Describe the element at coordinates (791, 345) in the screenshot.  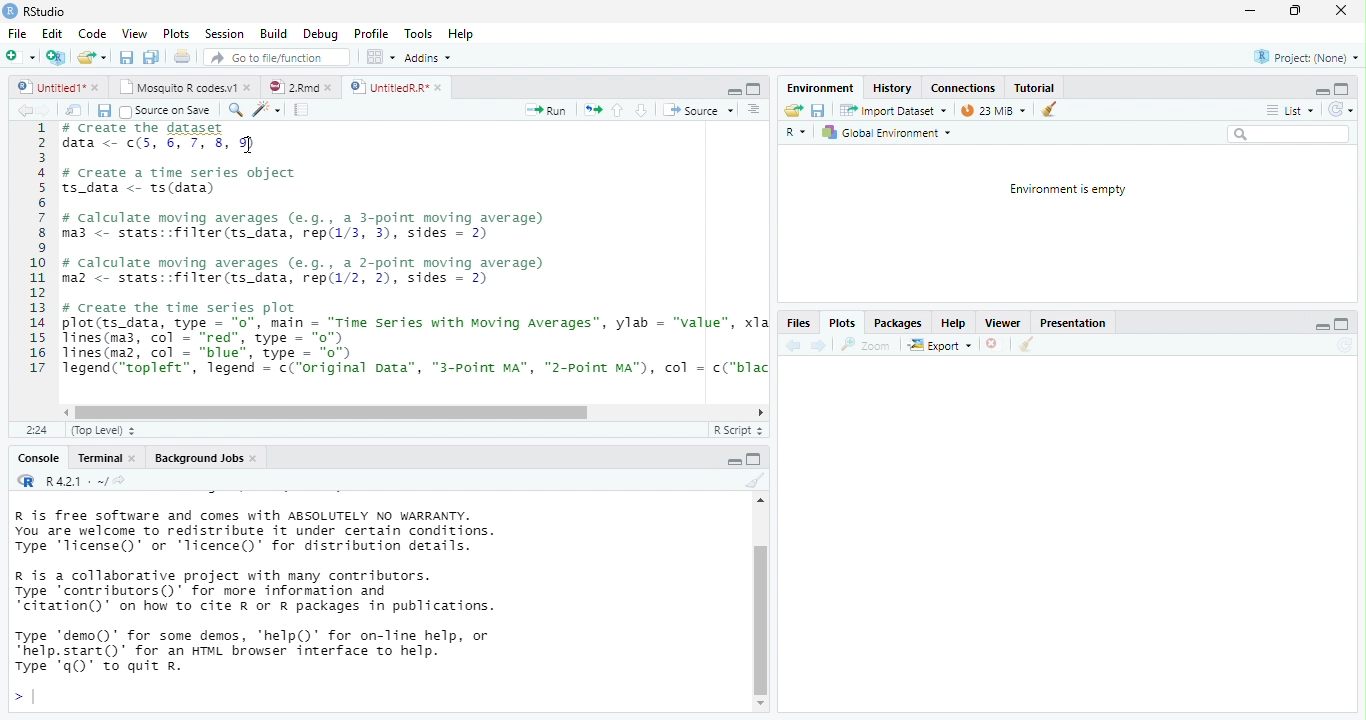
I see `back` at that location.